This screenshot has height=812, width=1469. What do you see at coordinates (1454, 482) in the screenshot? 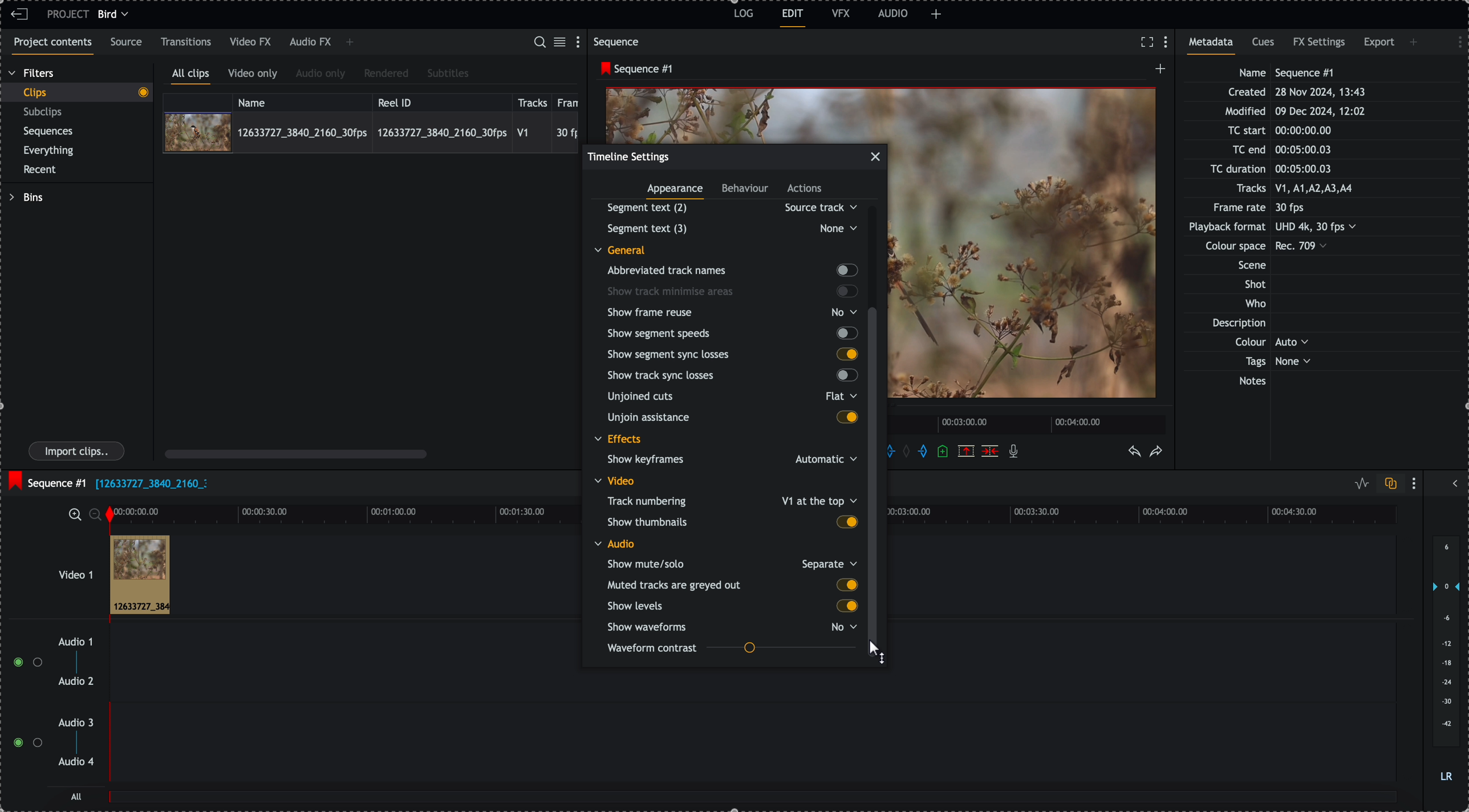
I see `show/hide full audio mix` at bounding box center [1454, 482].